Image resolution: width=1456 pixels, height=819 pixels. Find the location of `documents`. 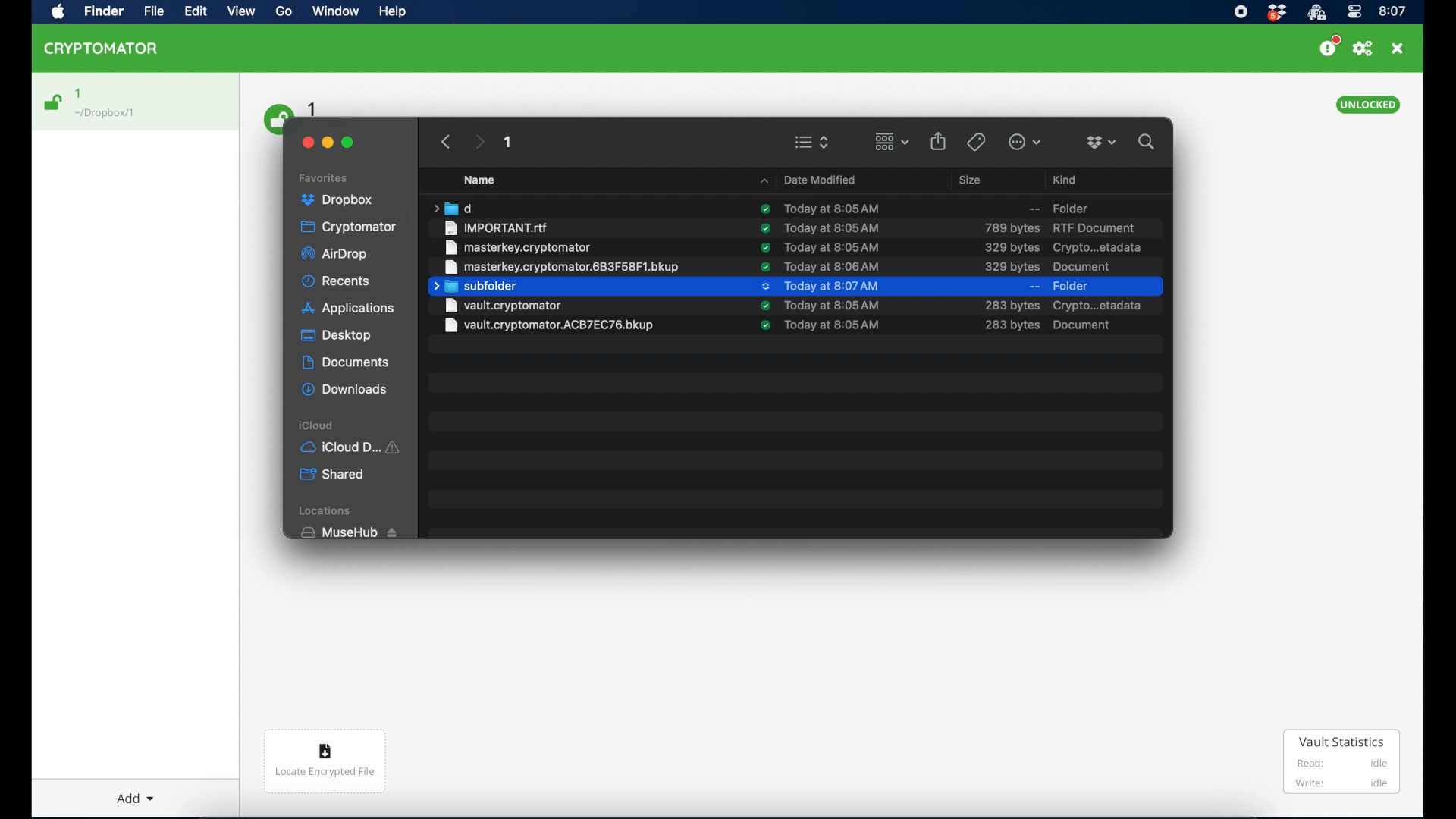

documents is located at coordinates (345, 362).